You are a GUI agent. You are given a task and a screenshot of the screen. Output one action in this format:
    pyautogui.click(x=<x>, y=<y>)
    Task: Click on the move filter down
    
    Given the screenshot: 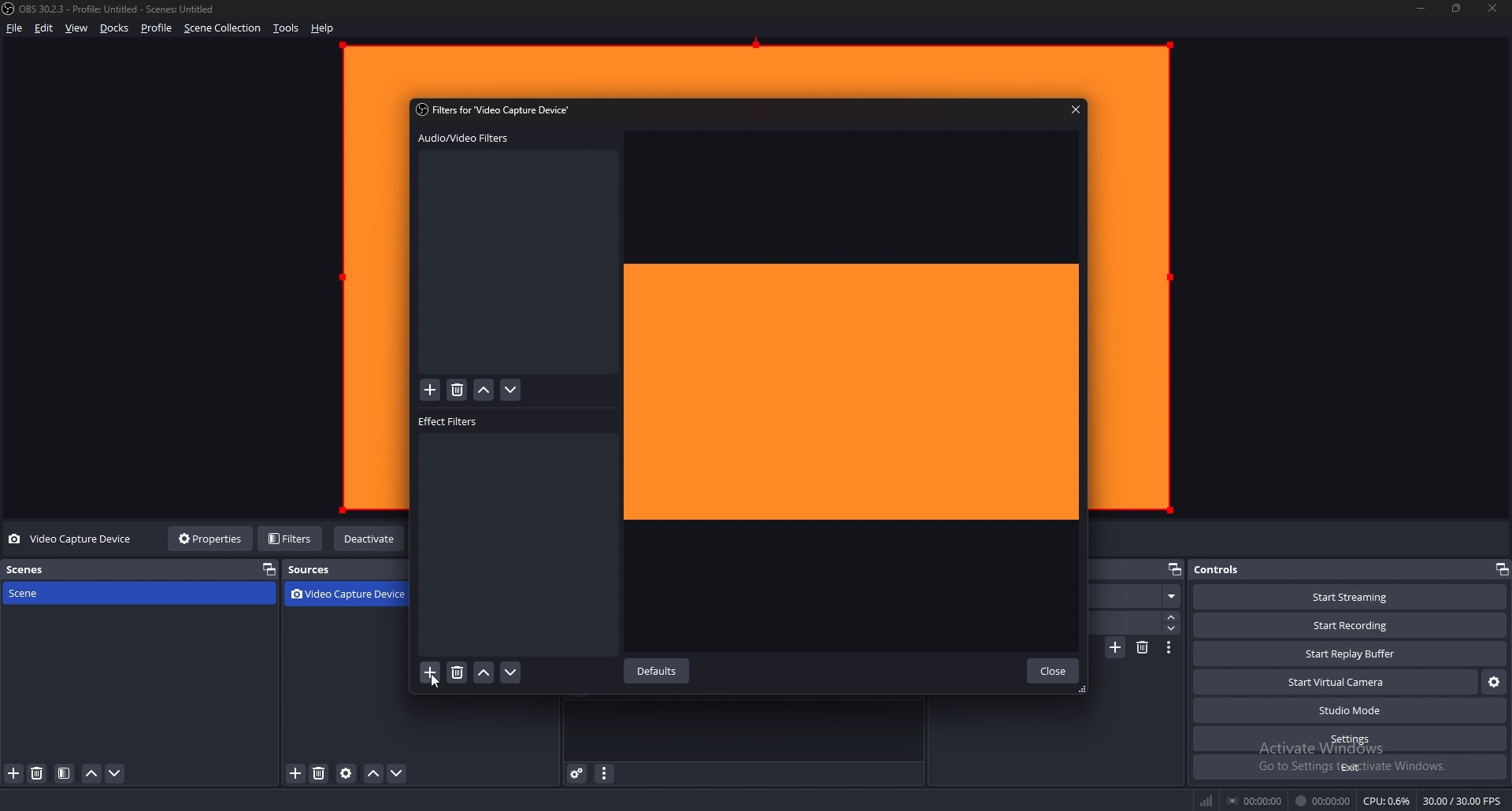 What is the action you would take?
    pyautogui.click(x=511, y=391)
    